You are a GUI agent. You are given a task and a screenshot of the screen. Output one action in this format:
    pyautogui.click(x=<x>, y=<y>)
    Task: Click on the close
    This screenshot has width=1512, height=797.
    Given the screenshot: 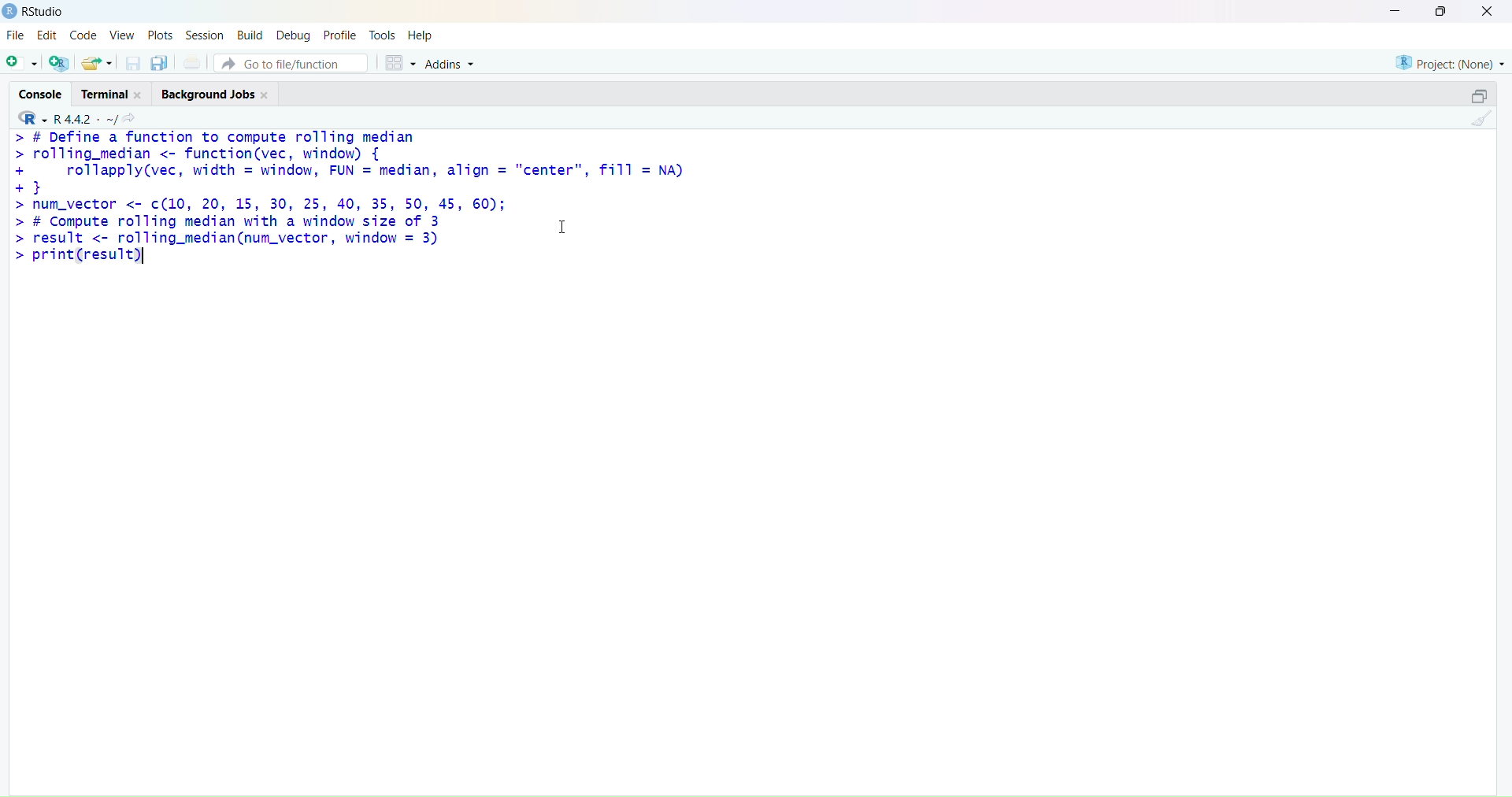 What is the action you would take?
    pyautogui.click(x=137, y=95)
    